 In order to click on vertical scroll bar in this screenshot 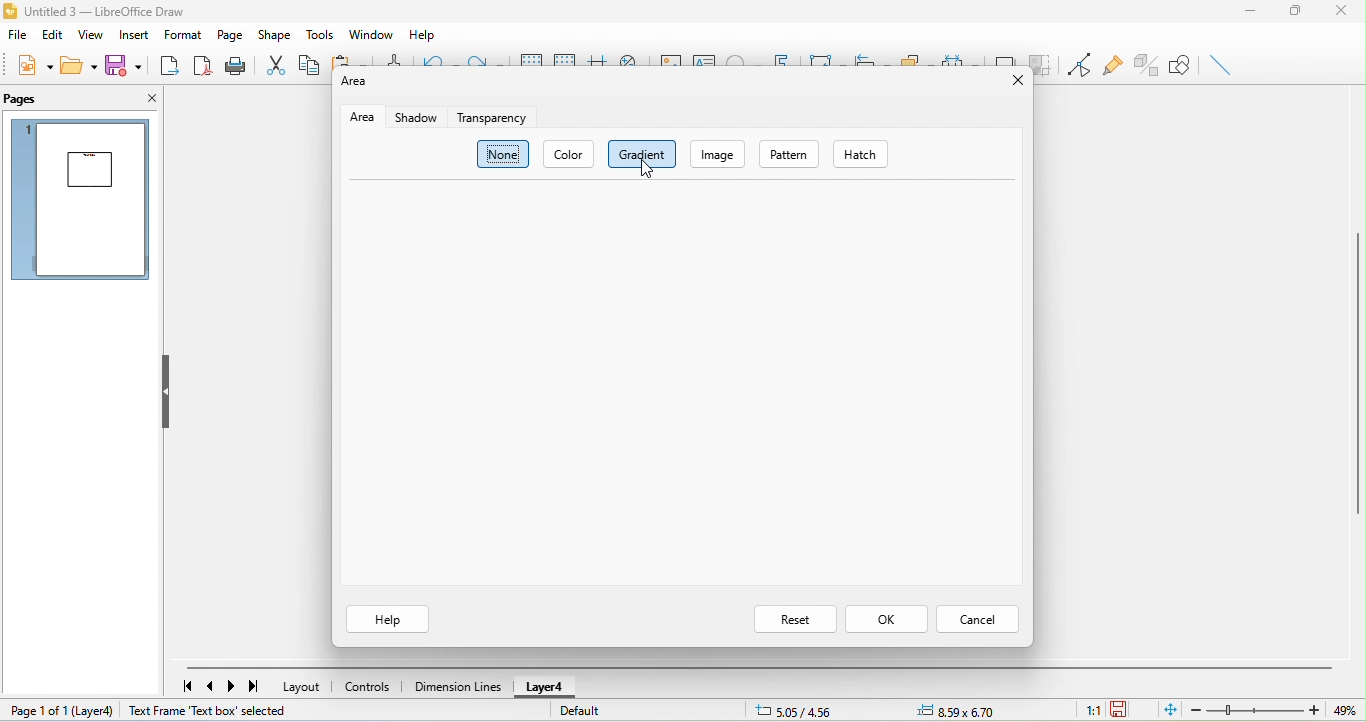, I will do `click(1357, 372)`.